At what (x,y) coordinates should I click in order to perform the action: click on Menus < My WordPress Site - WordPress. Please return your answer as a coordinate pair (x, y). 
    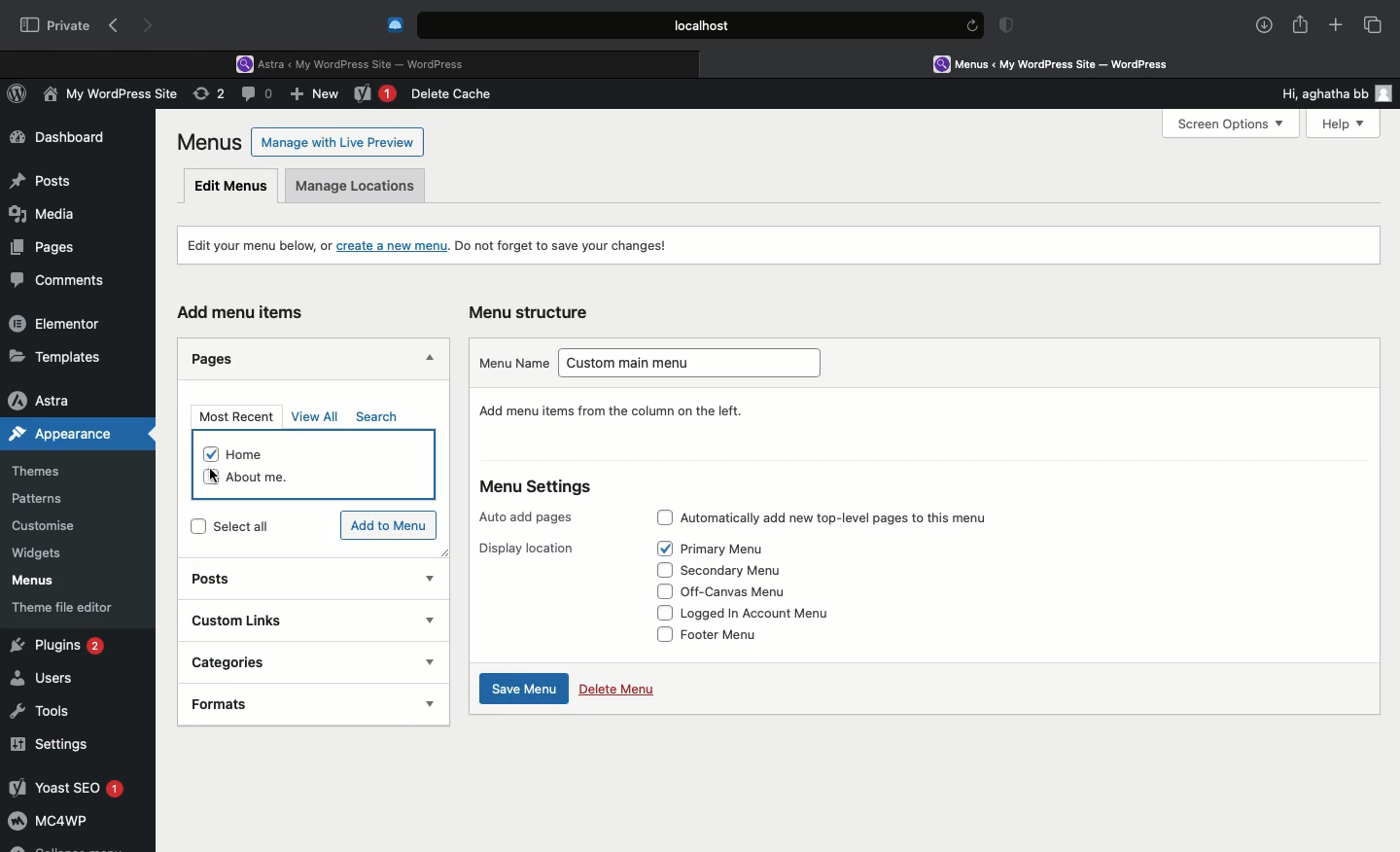
    Looking at the image, I should click on (1066, 63).